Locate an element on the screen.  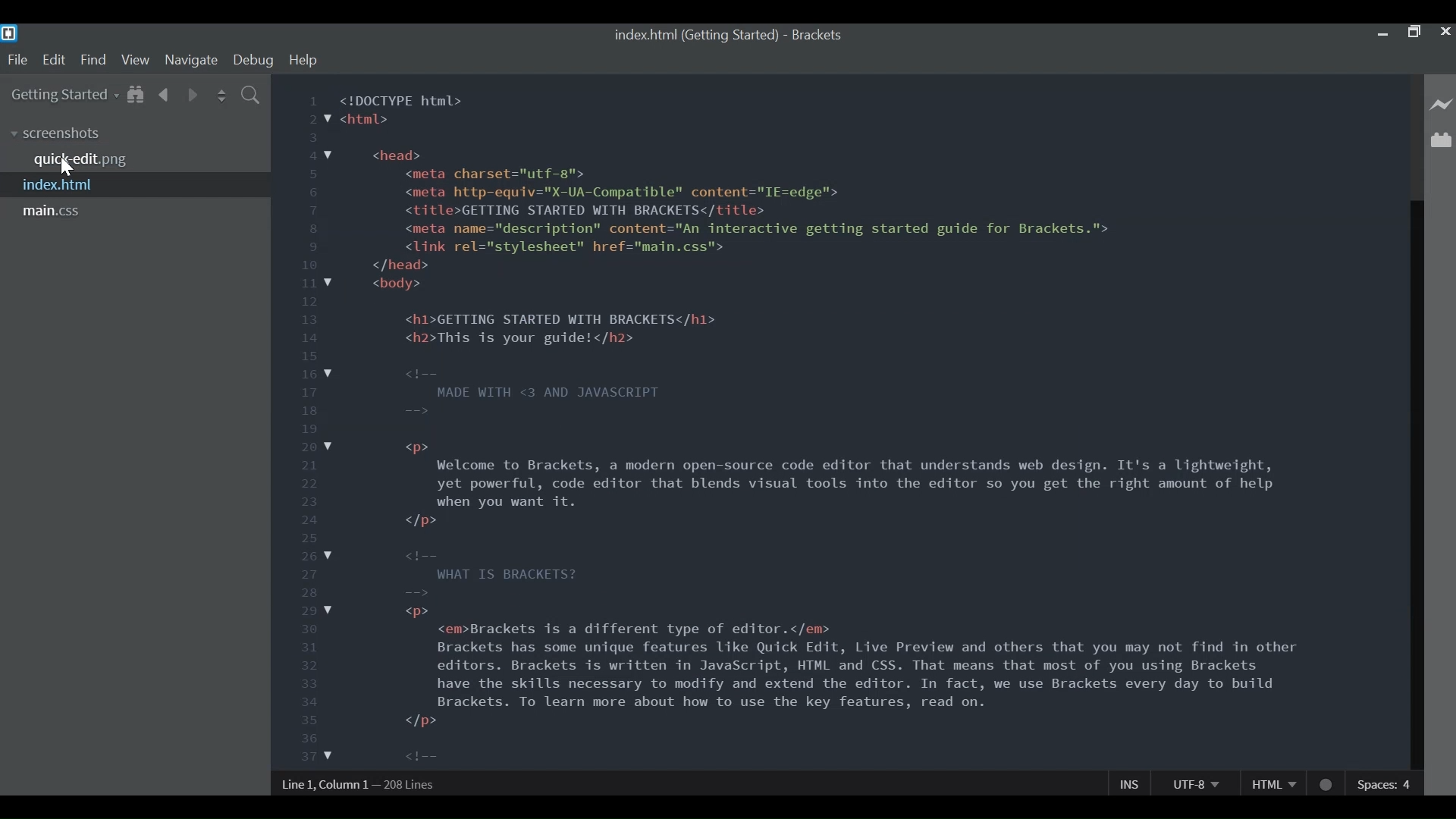
Find In Files is located at coordinates (253, 96).